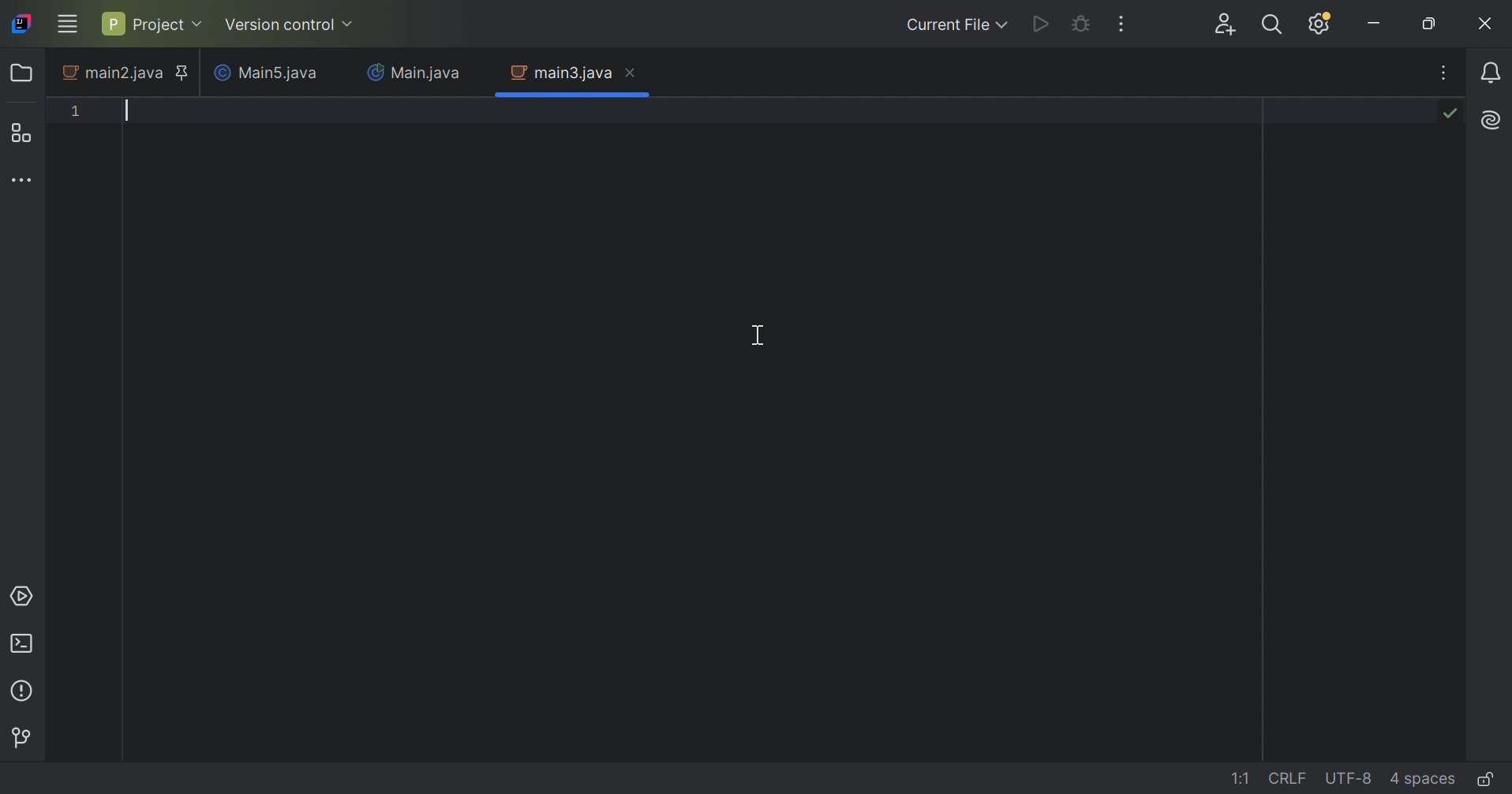  I want to click on AI Assistant, so click(1491, 122).